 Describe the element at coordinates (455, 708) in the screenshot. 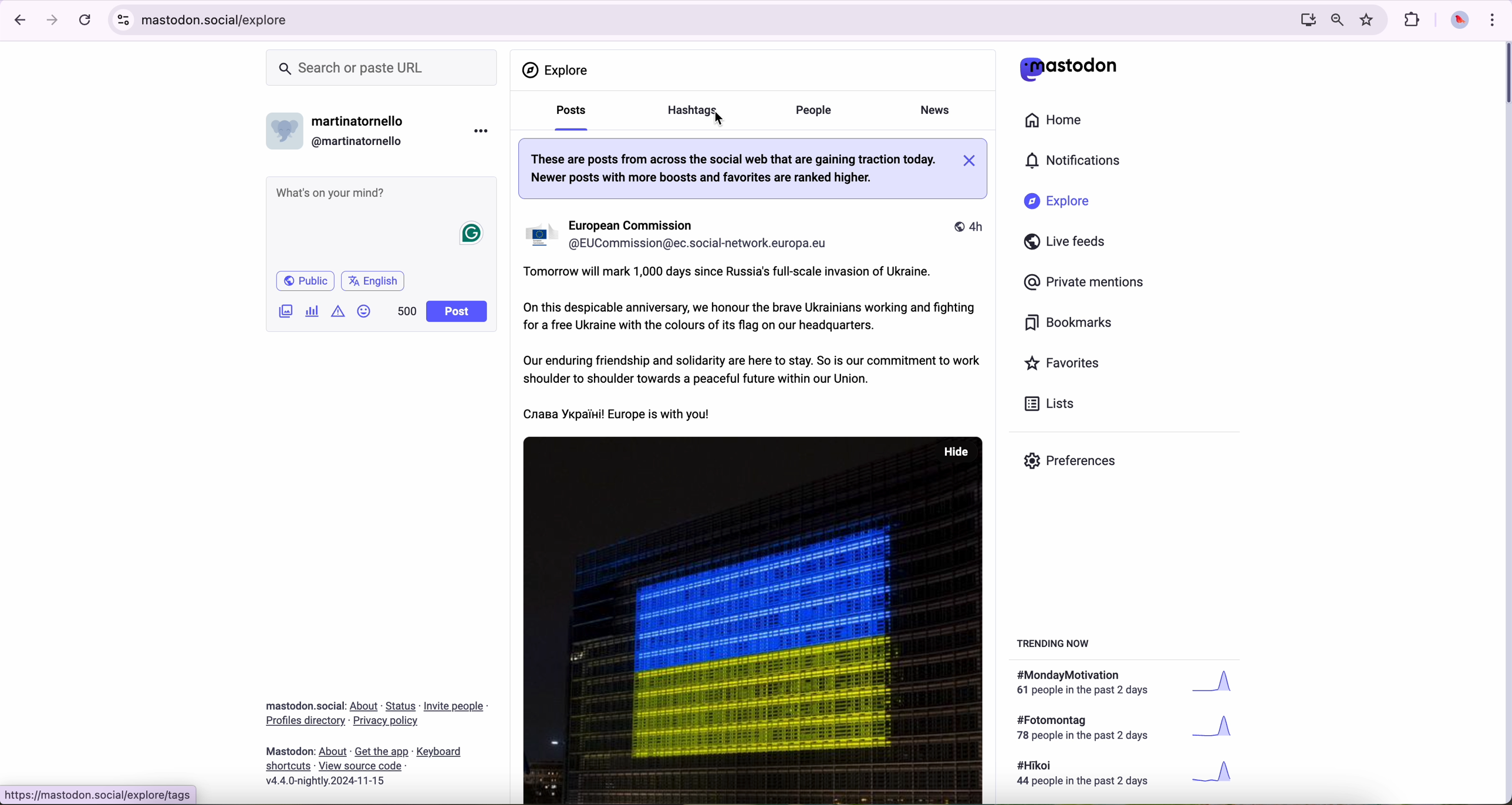

I see `link` at that location.